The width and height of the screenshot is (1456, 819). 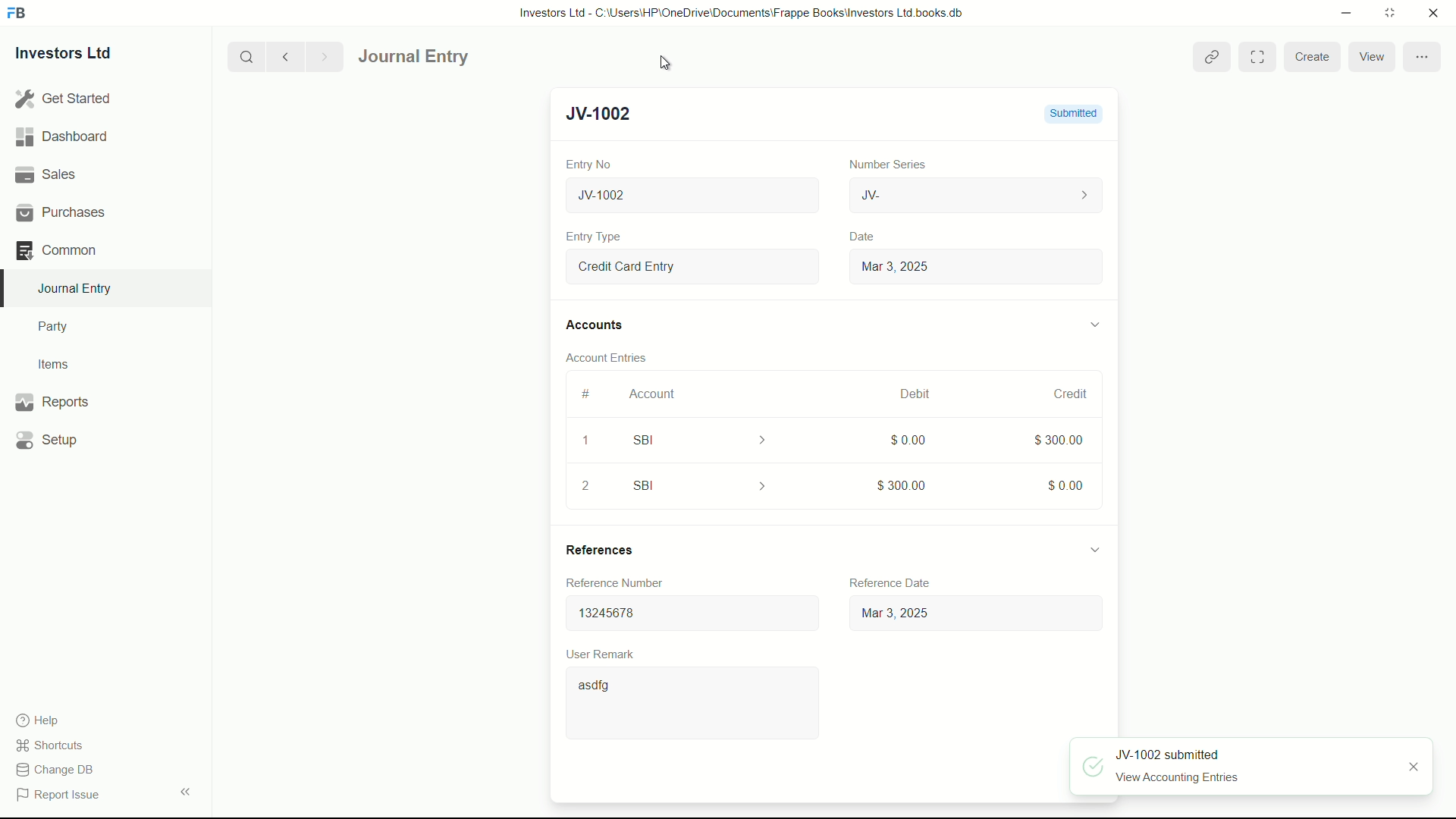 What do you see at coordinates (585, 443) in the screenshot?
I see `1` at bounding box center [585, 443].